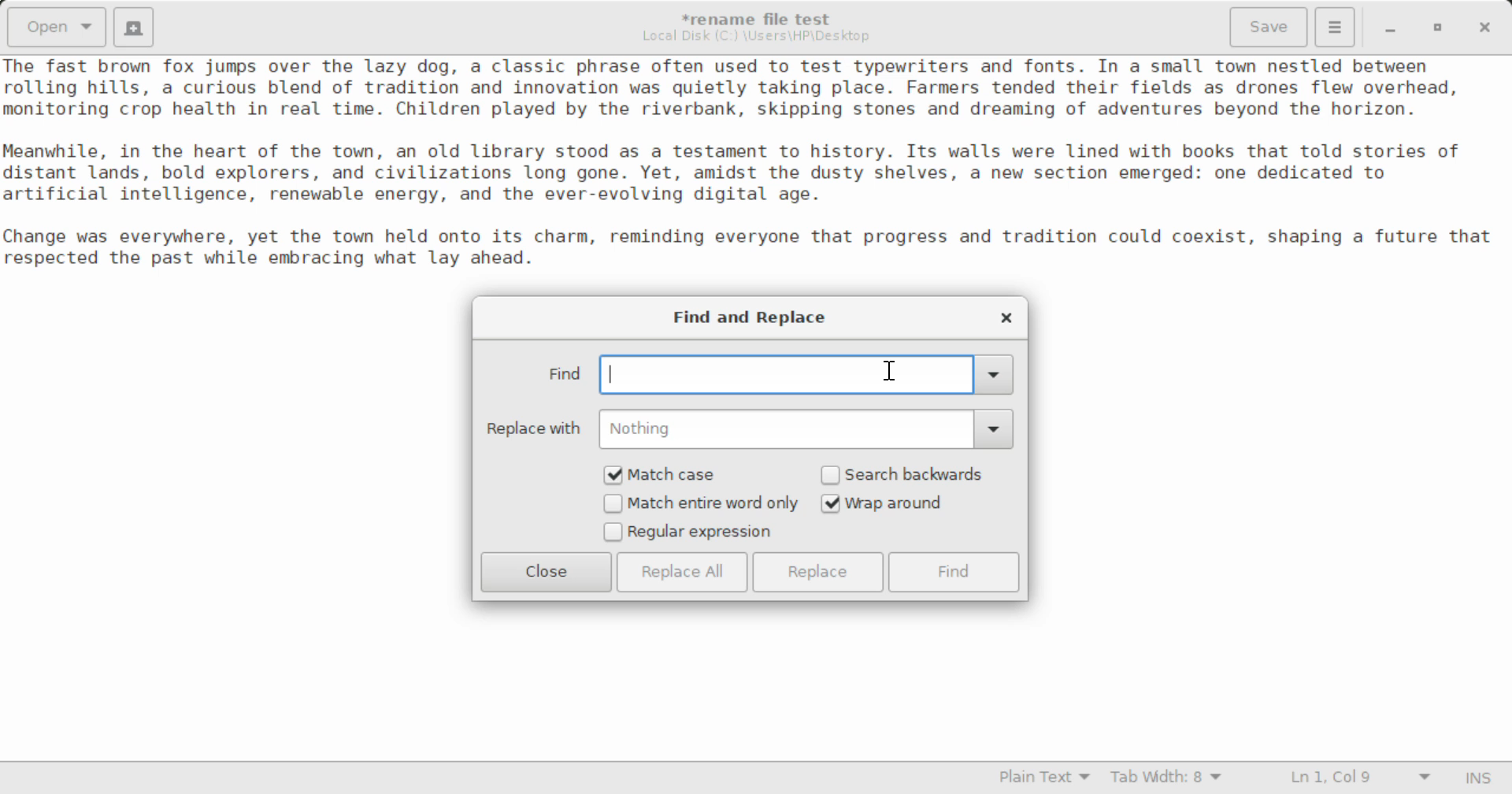 This screenshot has width=1512, height=794. Describe the element at coordinates (821, 572) in the screenshot. I see `Replace` at that location.